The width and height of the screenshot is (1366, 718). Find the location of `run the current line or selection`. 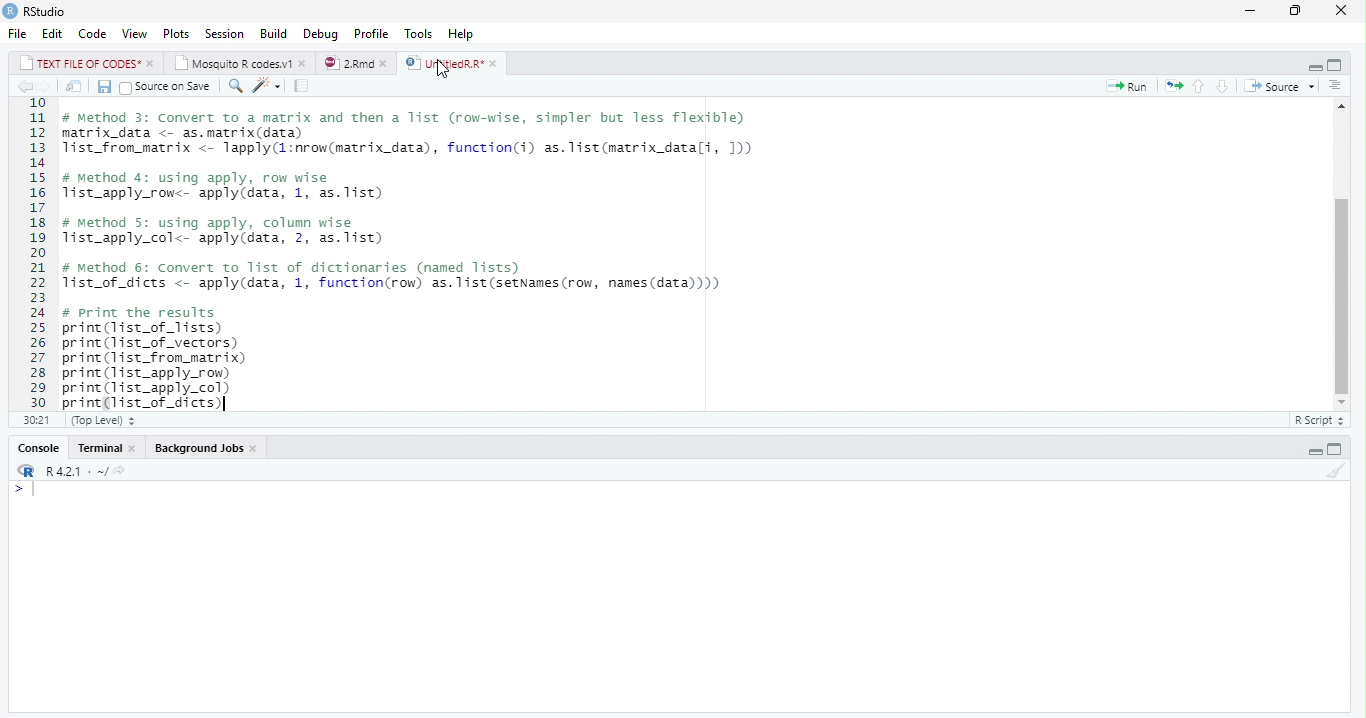

run the current line or selection is located at coordinates (1126, 86).